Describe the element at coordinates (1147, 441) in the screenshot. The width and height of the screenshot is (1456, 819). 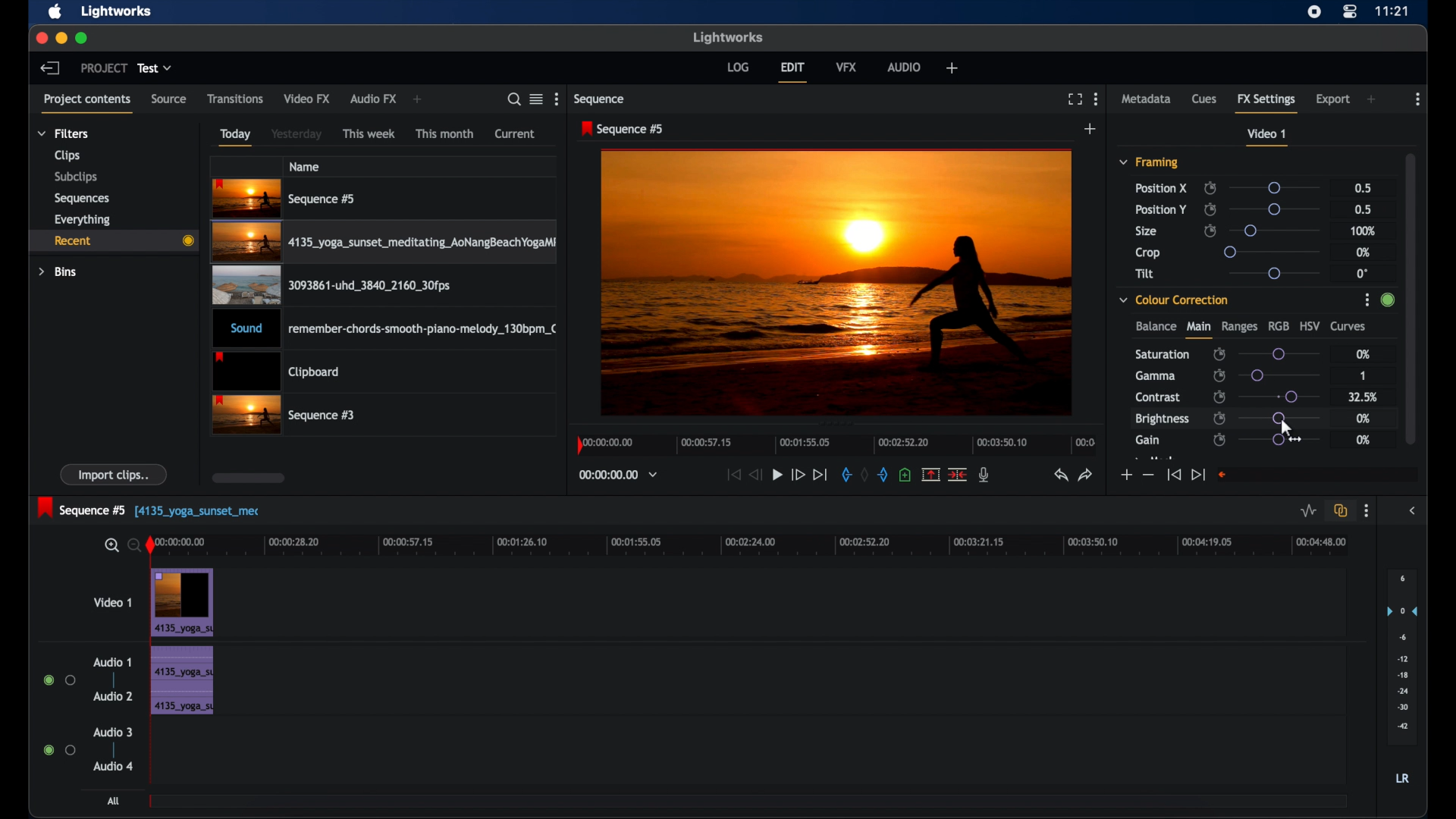
I see `gain` at that location.